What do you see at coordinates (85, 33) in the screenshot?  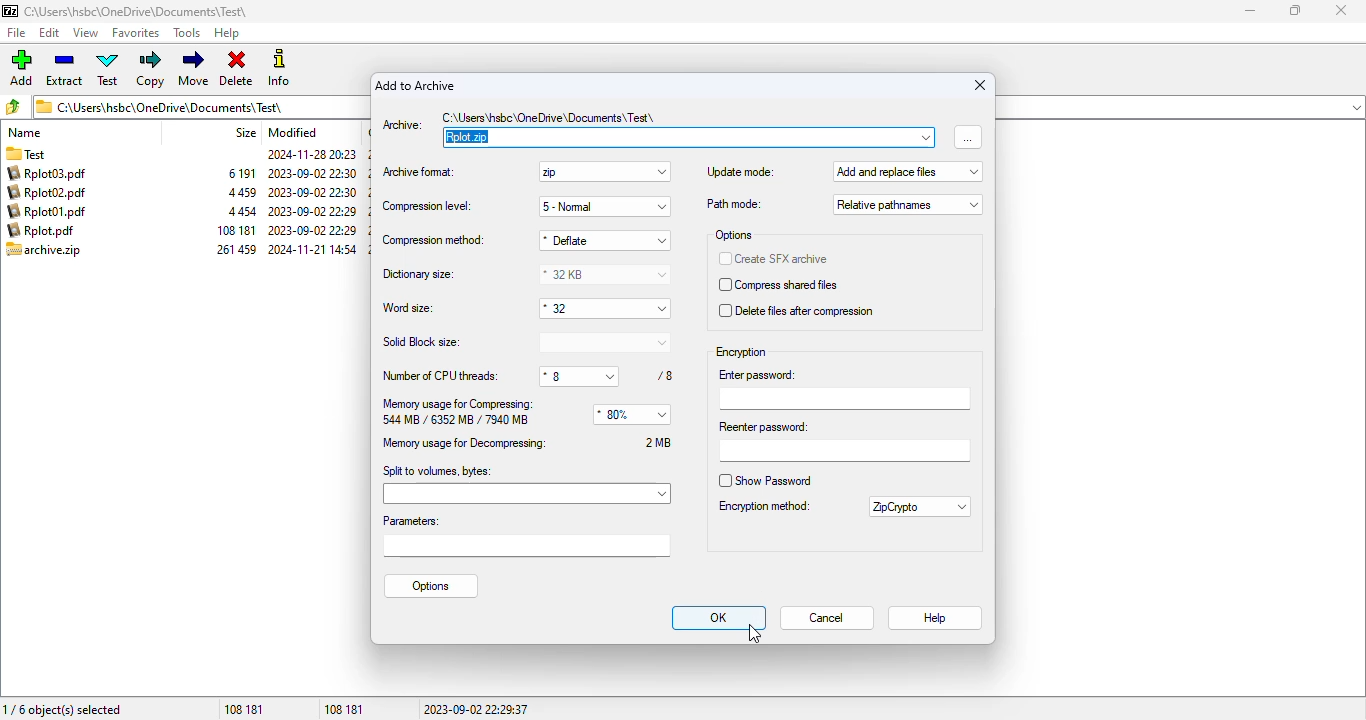 I see `view` at bounding box center [85, 33].